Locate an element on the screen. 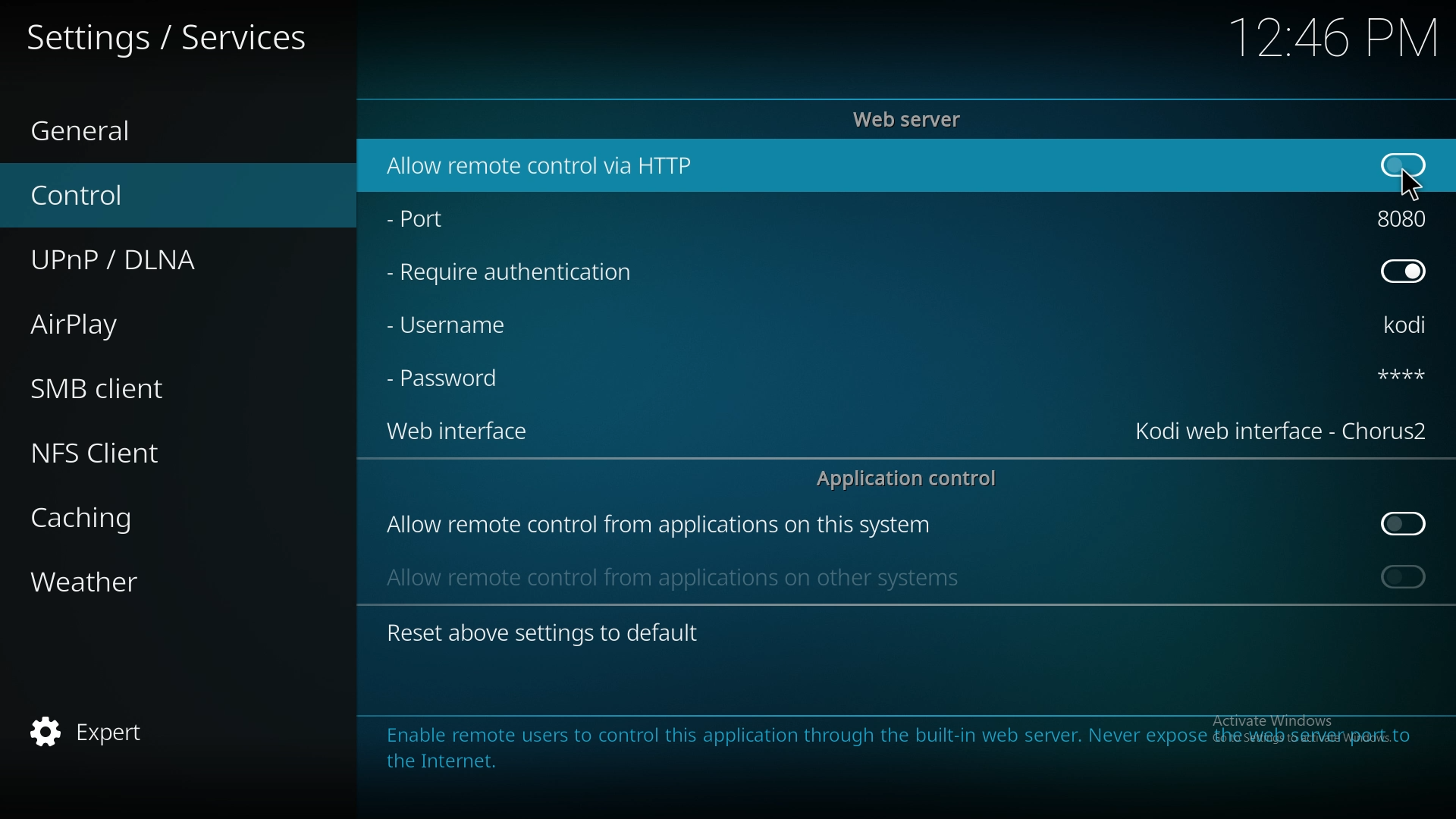 This screenshot has width=1456, height=819. expert is located at coordinates (127, 733).